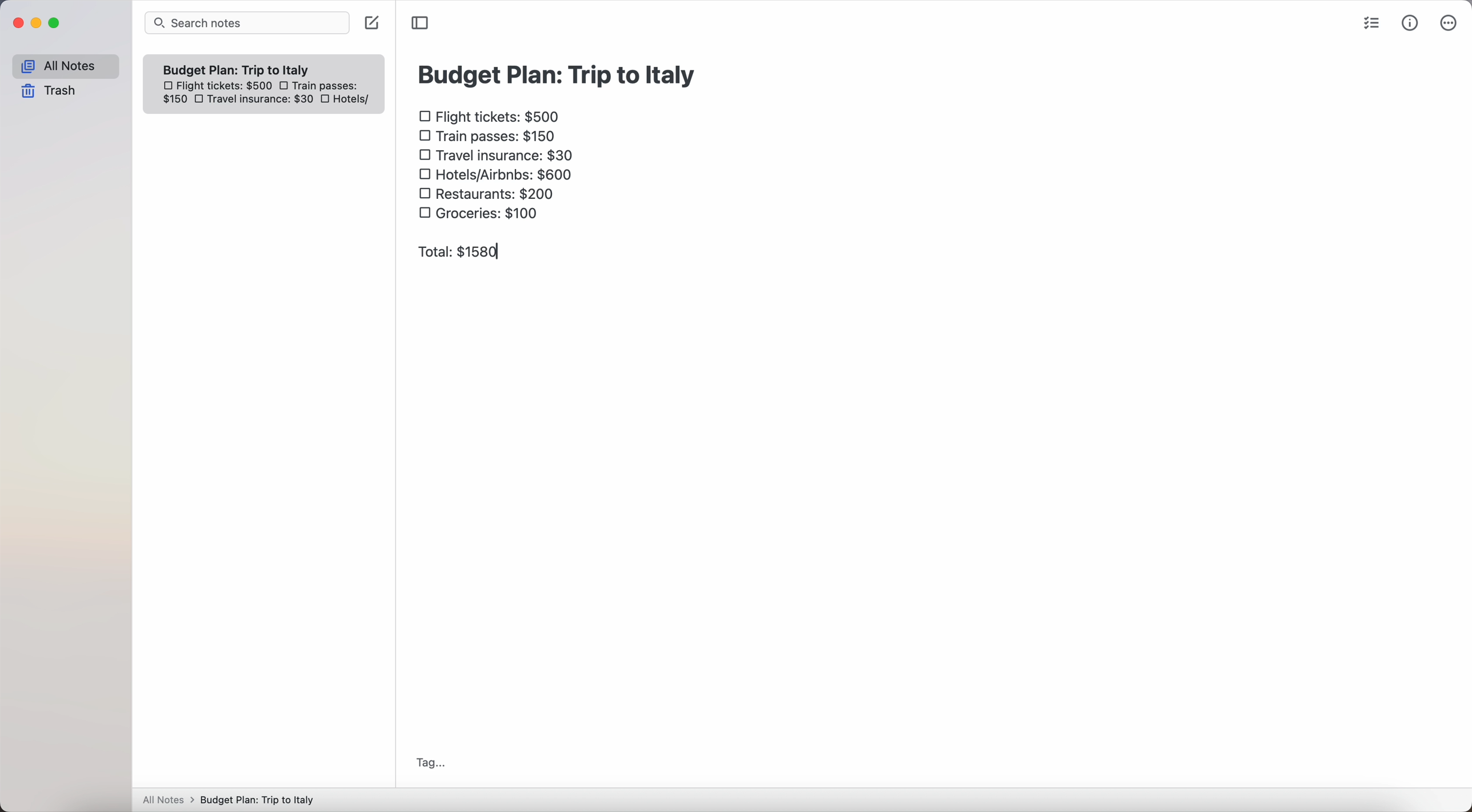  I want to click on groceries: $100 checkbox, so click(473, 214).